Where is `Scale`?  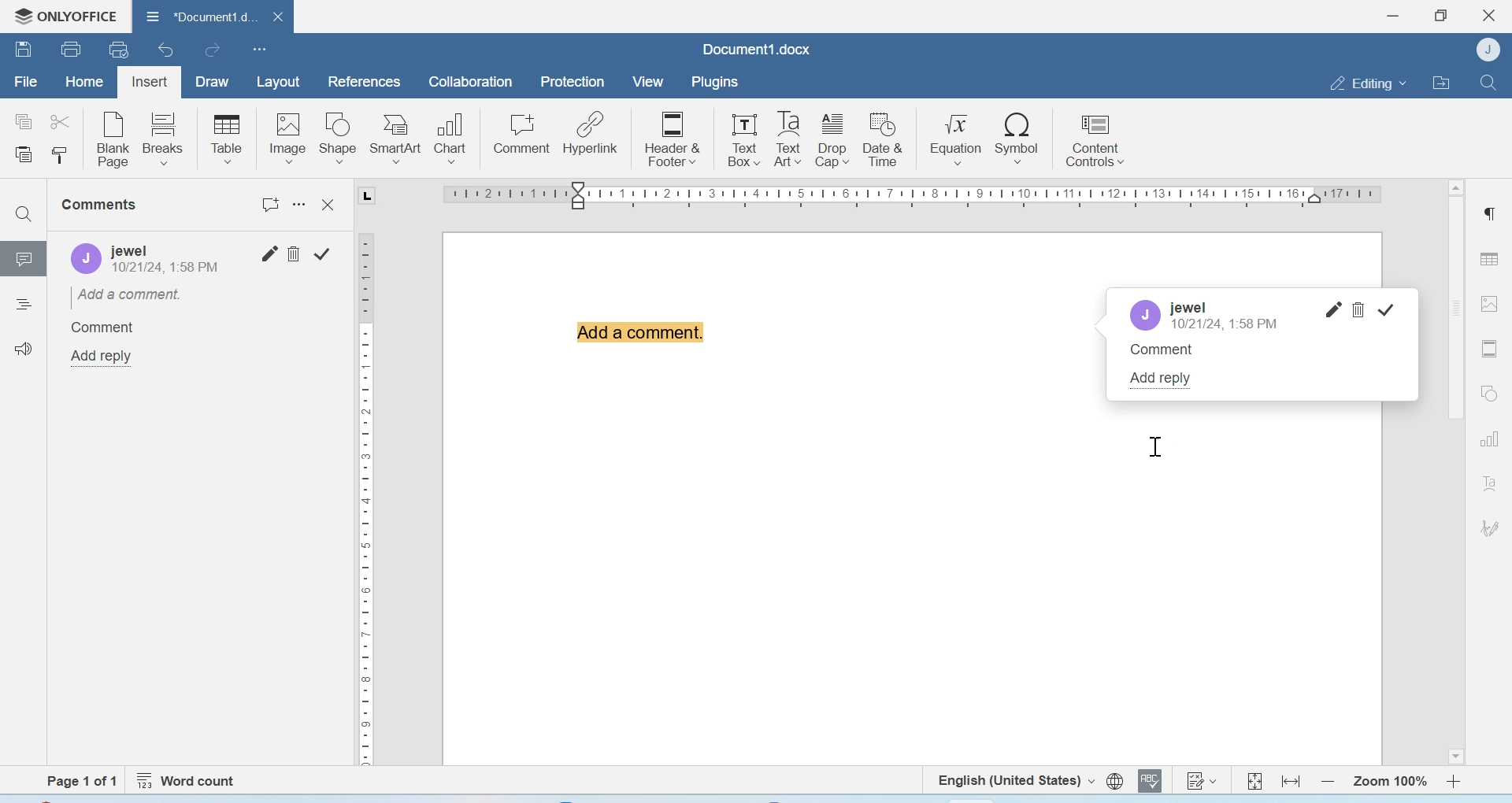
Scale is located at coordinates (365, 489).